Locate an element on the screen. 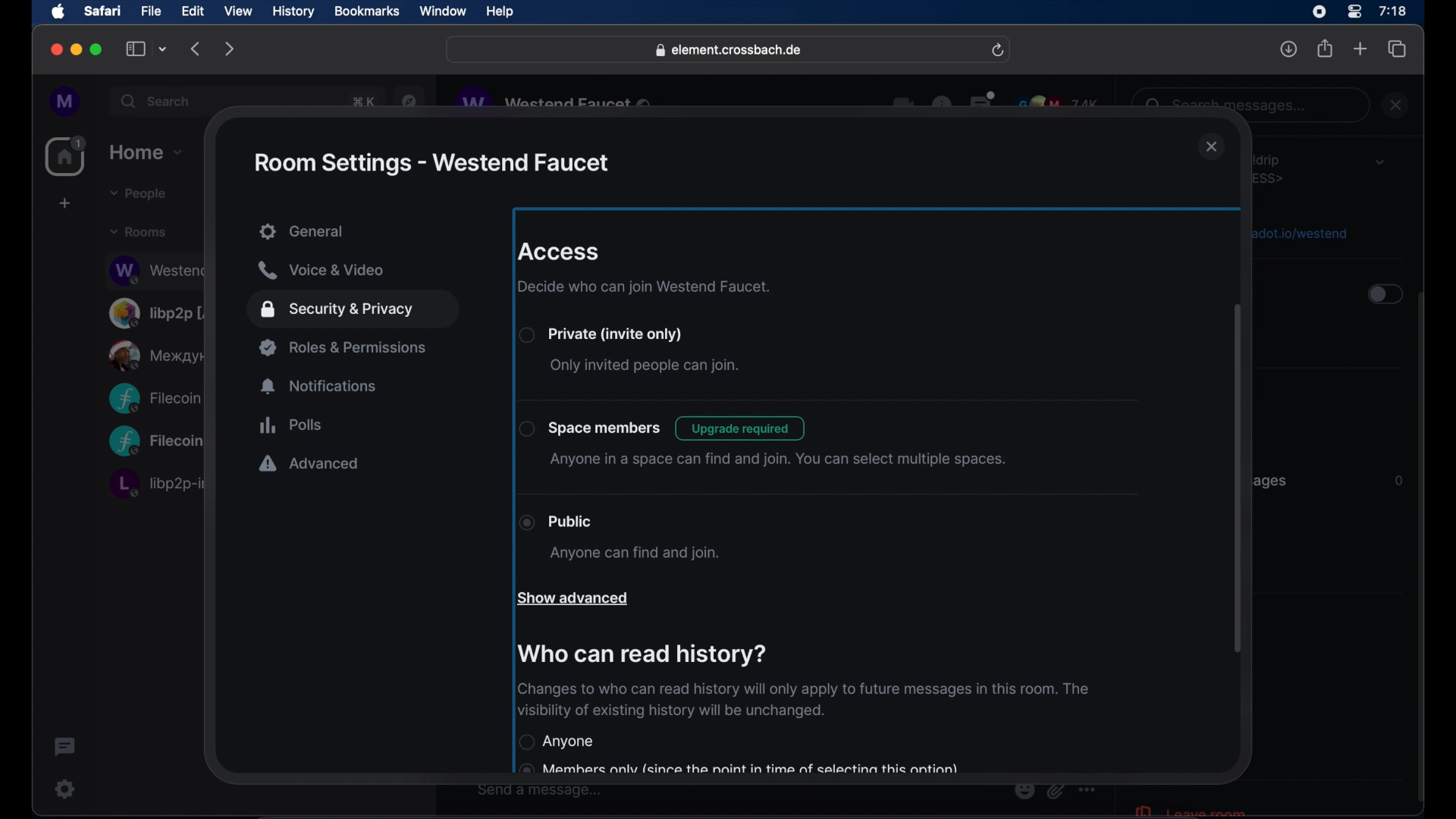 The image size is (1456, 819). scroll bar is located at coordinates (1423, 549).